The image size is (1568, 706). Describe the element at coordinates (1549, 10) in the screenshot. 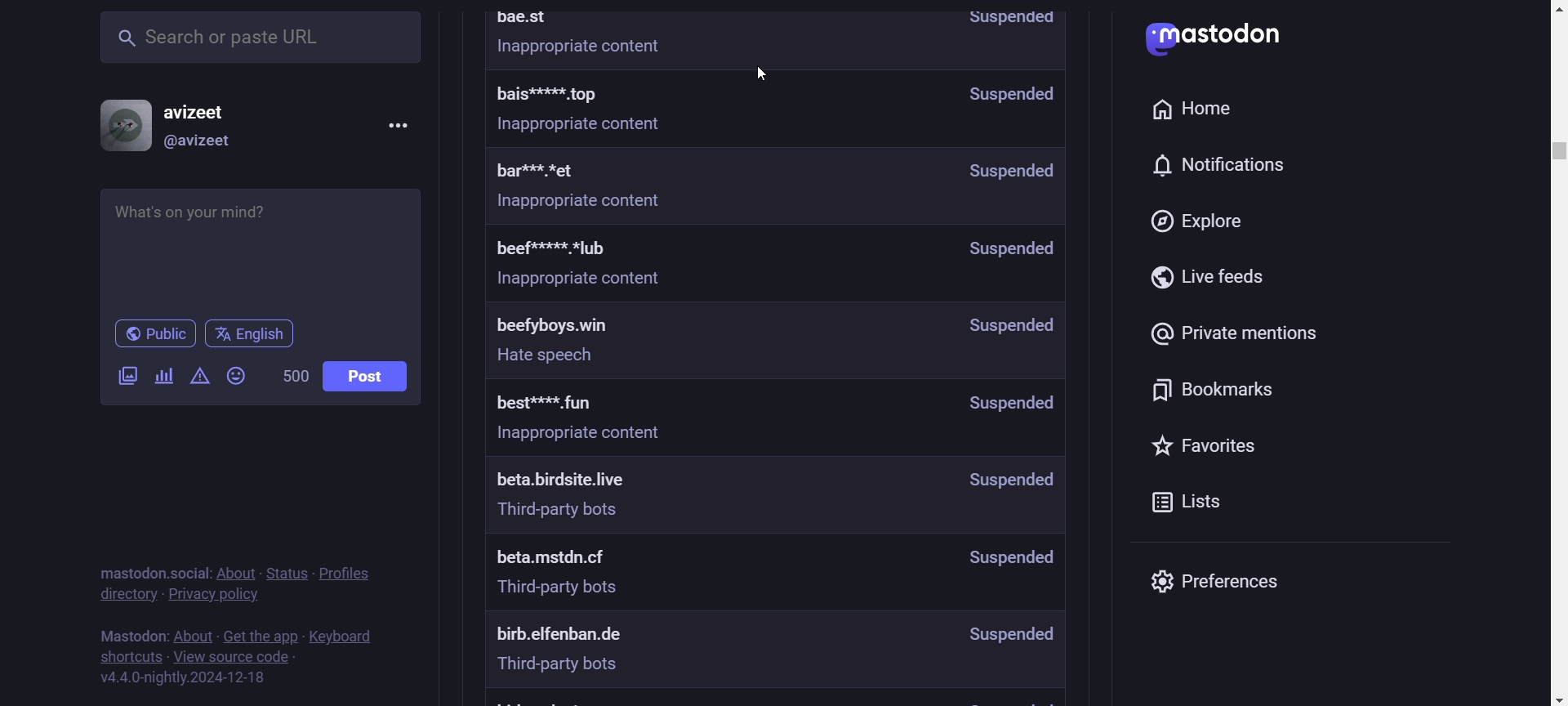

I see `Scroll Up` at that location.